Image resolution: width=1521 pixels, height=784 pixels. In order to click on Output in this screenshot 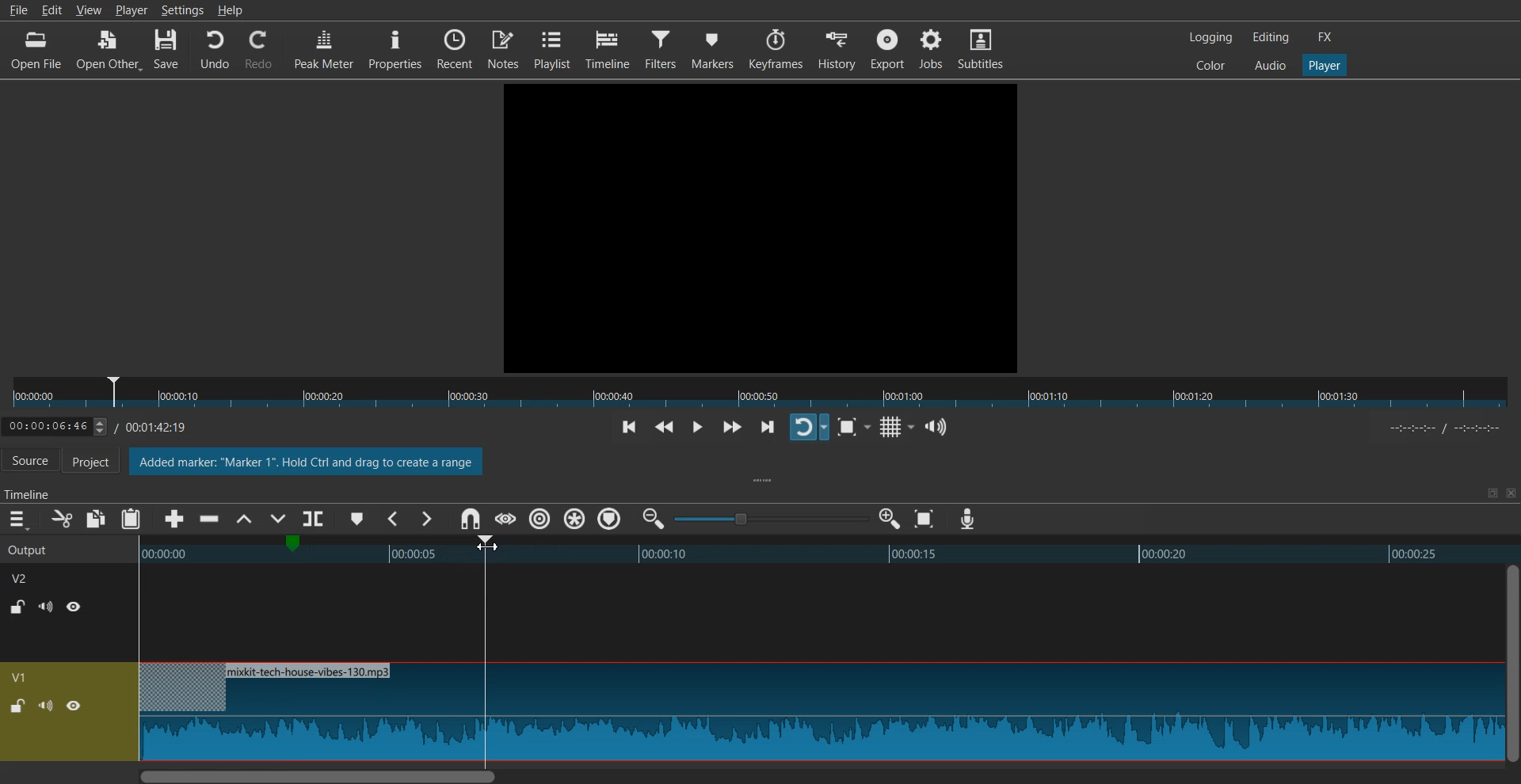, I will do `click(49, 548)`.